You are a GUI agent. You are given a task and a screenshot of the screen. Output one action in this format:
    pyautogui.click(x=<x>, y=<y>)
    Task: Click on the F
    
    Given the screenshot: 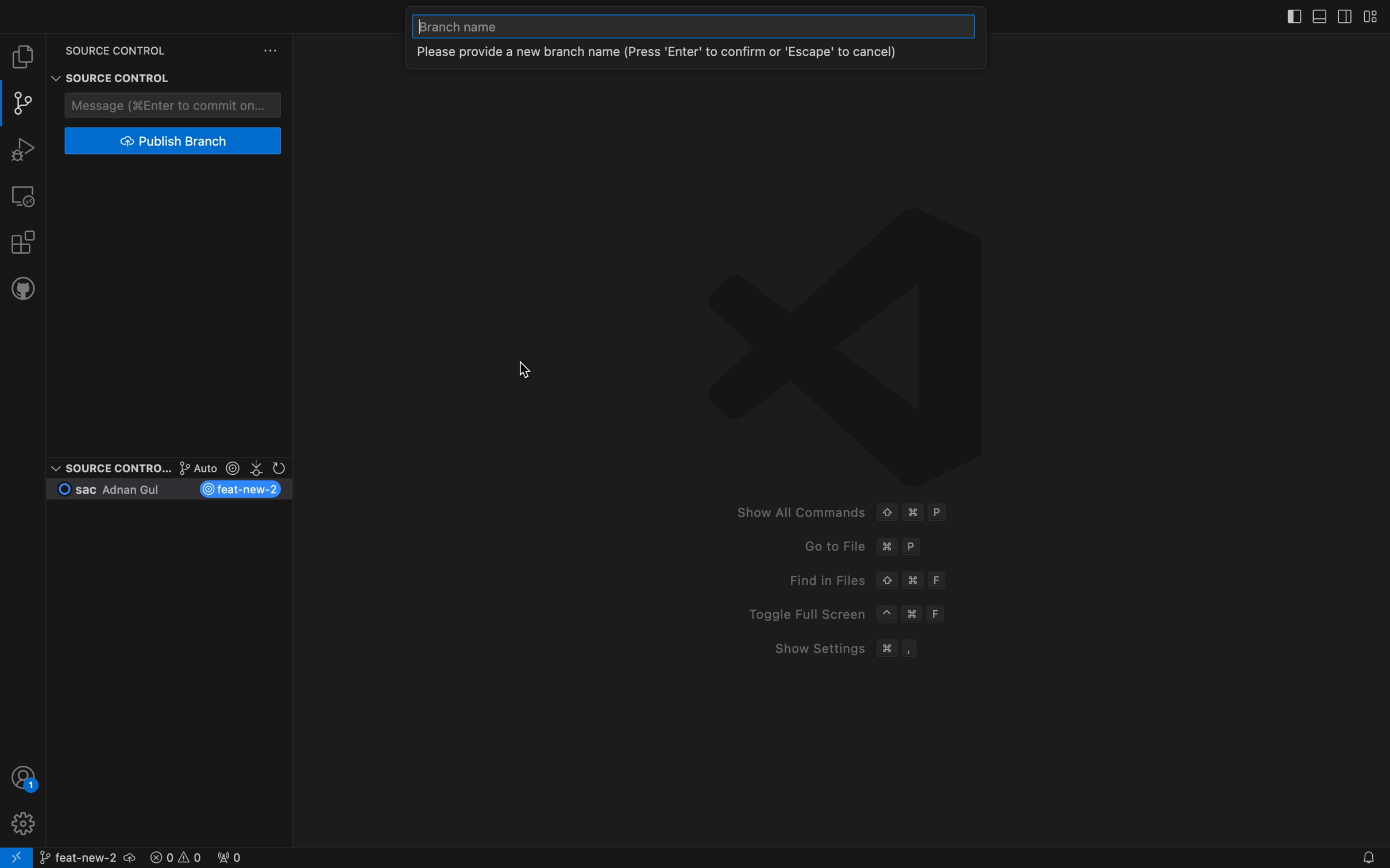 What is the action you would take?
    pyautogui.click(x=940, y=580)
    